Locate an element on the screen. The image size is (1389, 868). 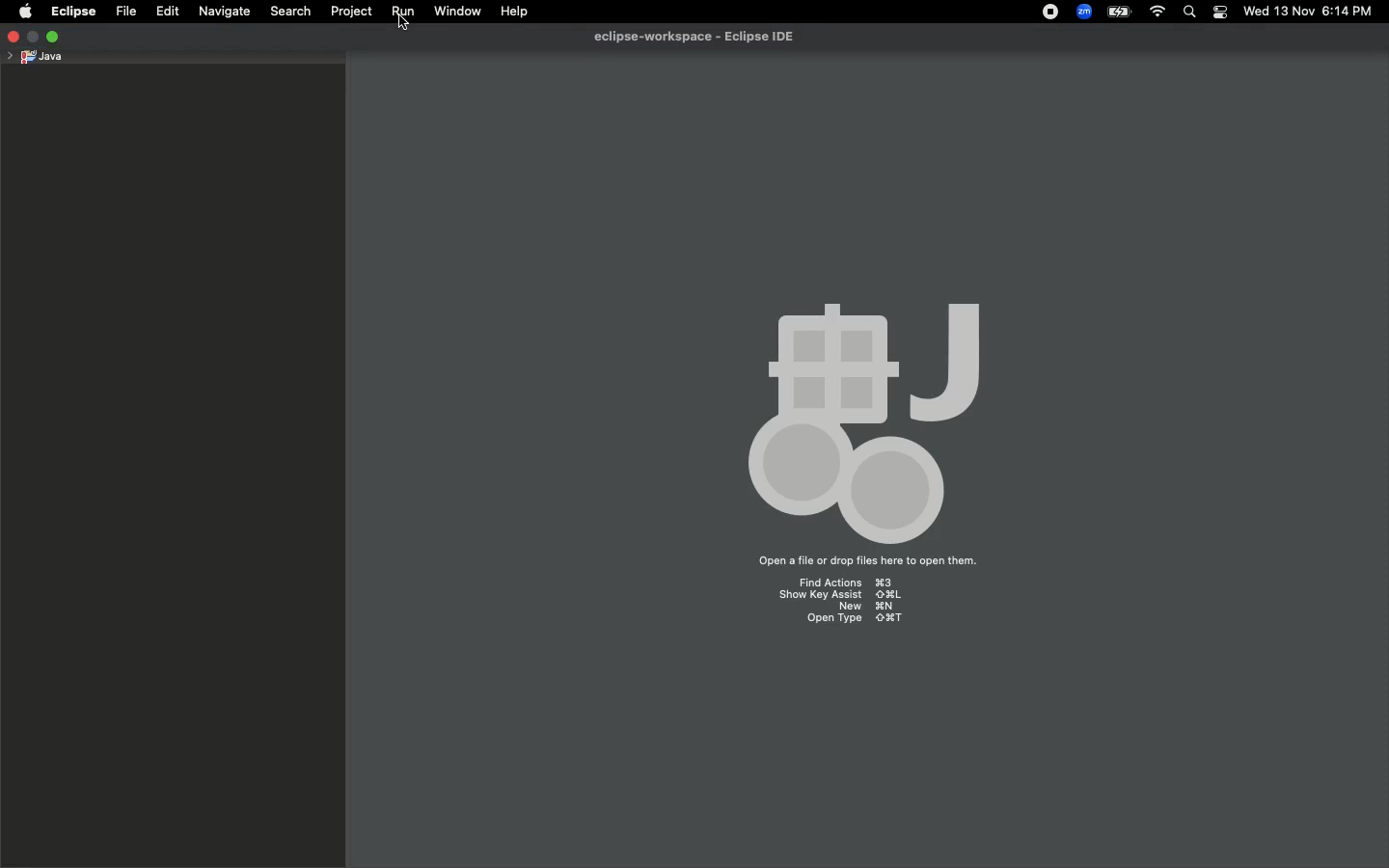
Close is located at coordinates (13, 35).